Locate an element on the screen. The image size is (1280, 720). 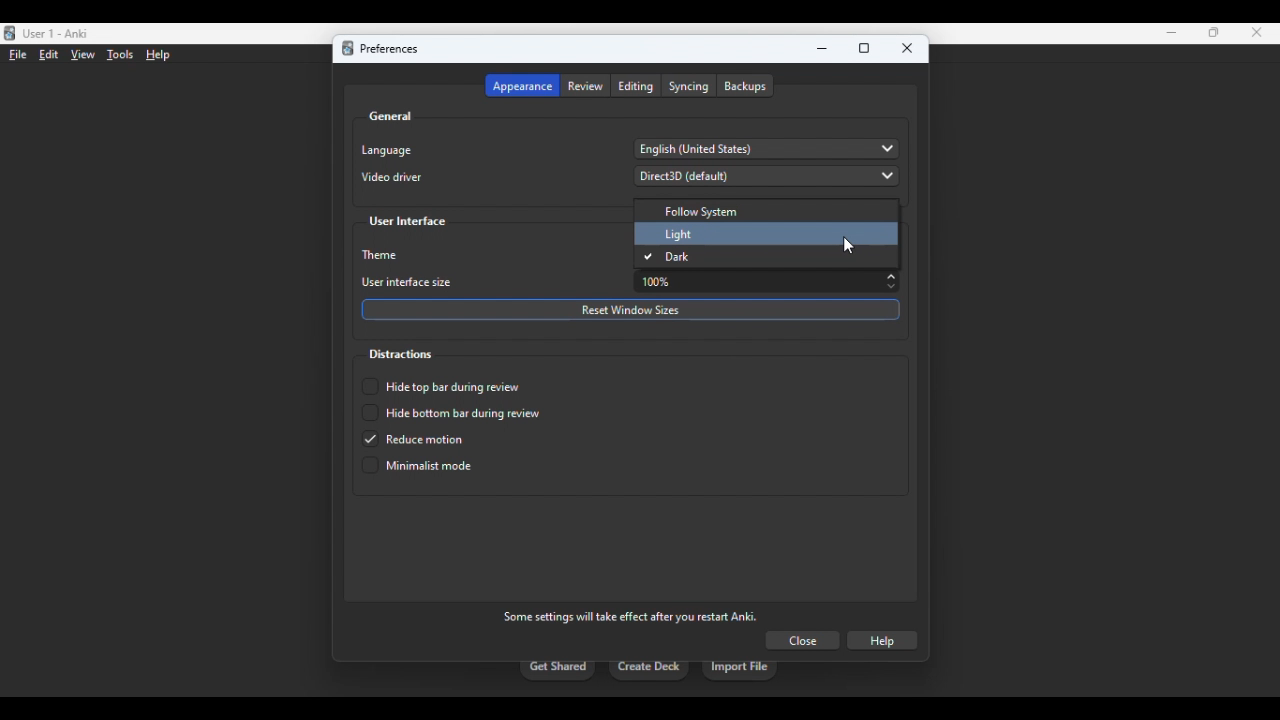
some settings will take effect after you restart anki. is located at coordinates (630, 616).